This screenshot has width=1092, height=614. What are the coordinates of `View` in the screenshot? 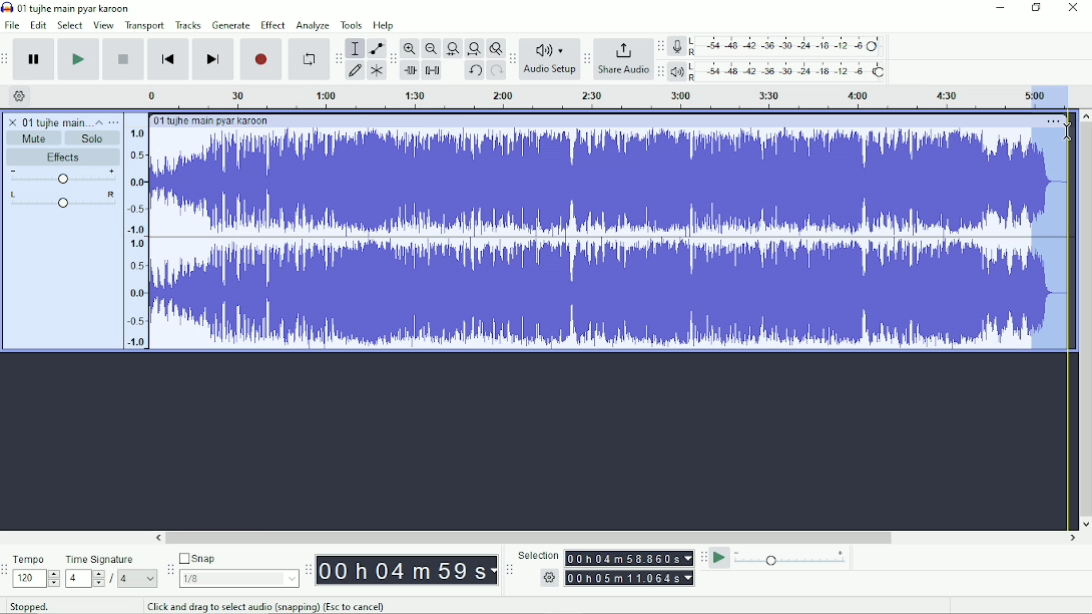 It's located at (104, 26).